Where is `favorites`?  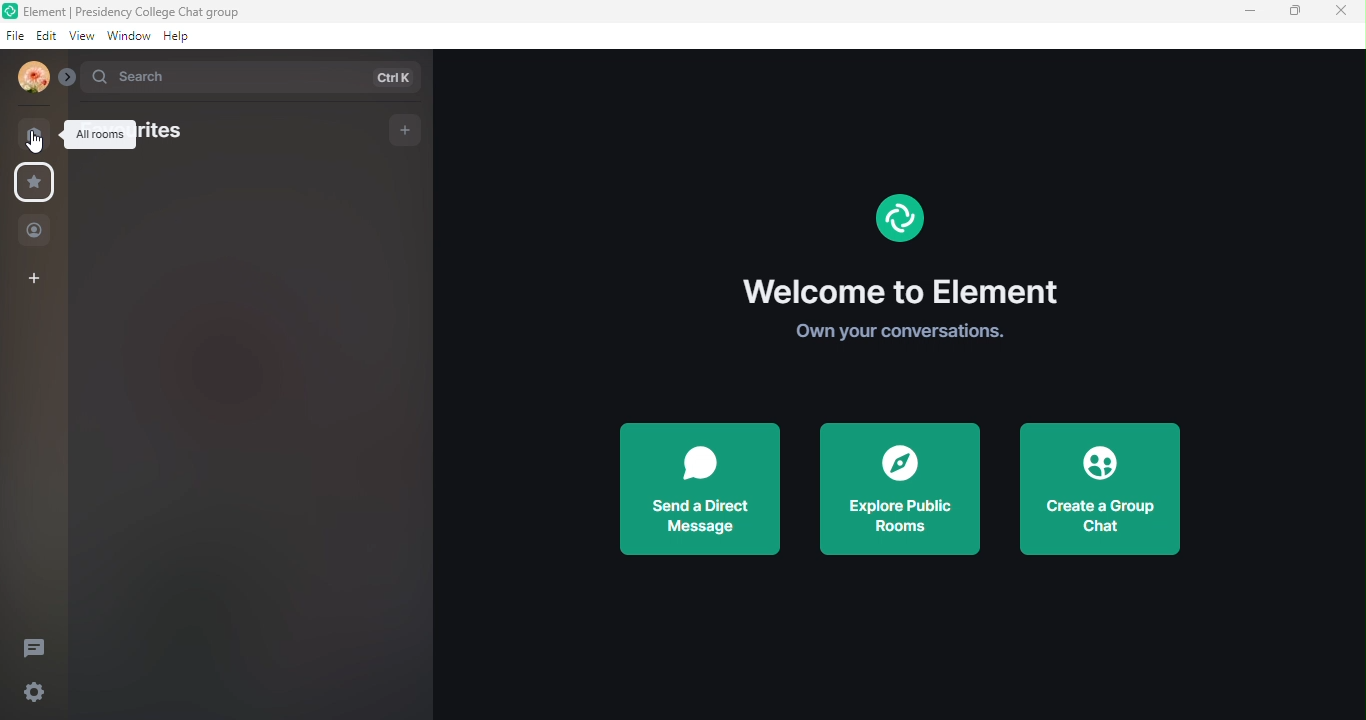 favorites is located at coordinates (169, 134).